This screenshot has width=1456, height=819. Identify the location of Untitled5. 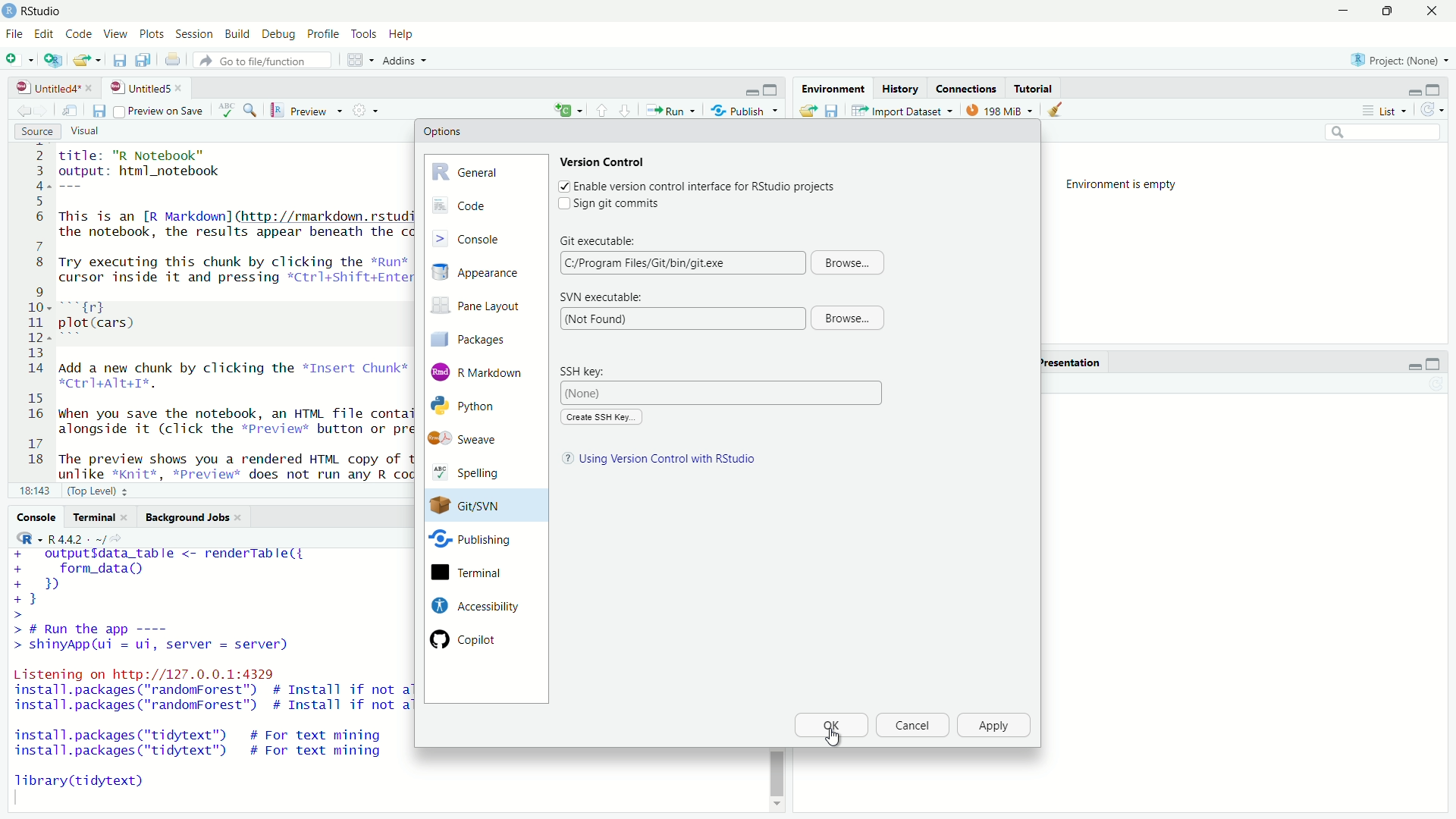
(138, 88).